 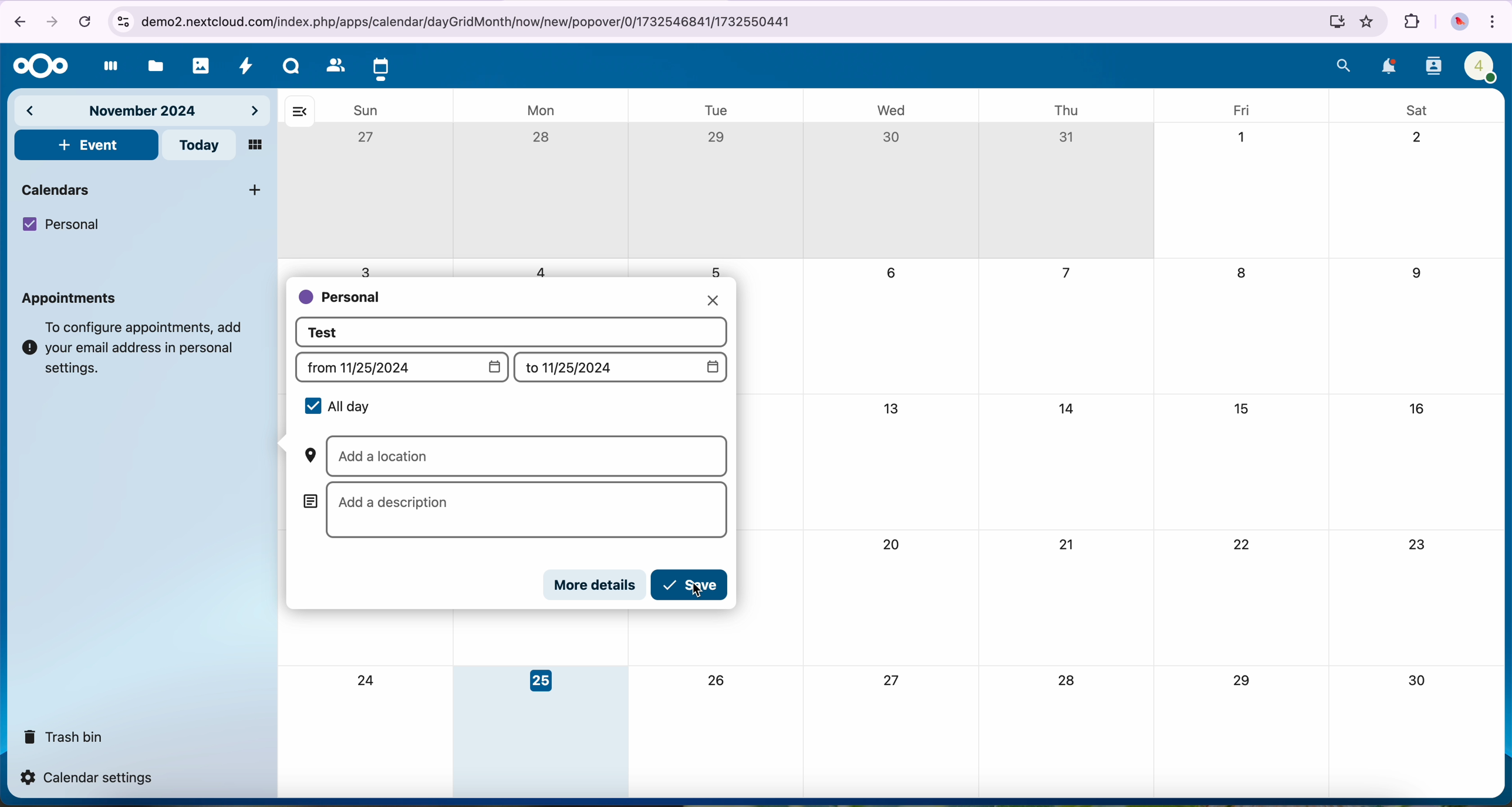 What do you see at coordinates (198, 146) in the screenshot?
I see `today` at bounding box center [198, 146].